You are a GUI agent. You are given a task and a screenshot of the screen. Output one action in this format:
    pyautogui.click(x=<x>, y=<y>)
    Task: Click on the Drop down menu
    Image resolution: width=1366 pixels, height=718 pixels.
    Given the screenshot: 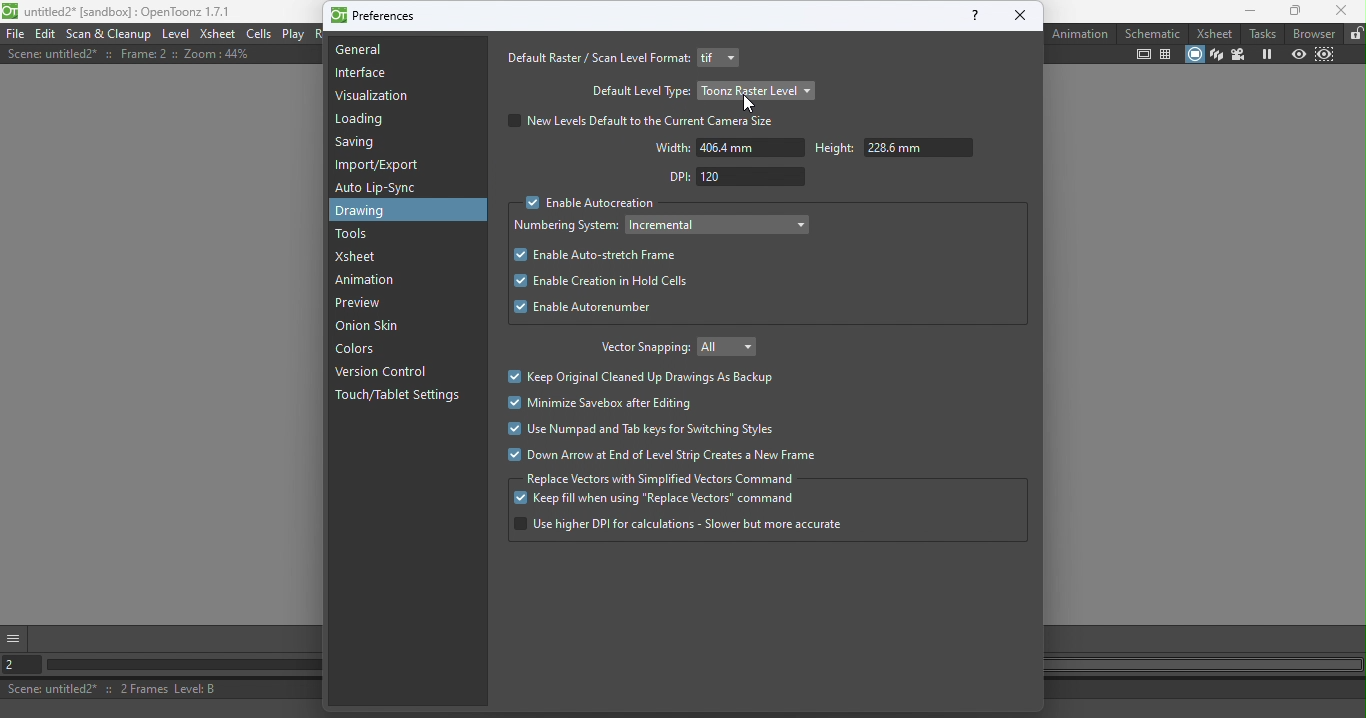 What is the action you would take?
    pyautogui.click(x=758, y=89)
    